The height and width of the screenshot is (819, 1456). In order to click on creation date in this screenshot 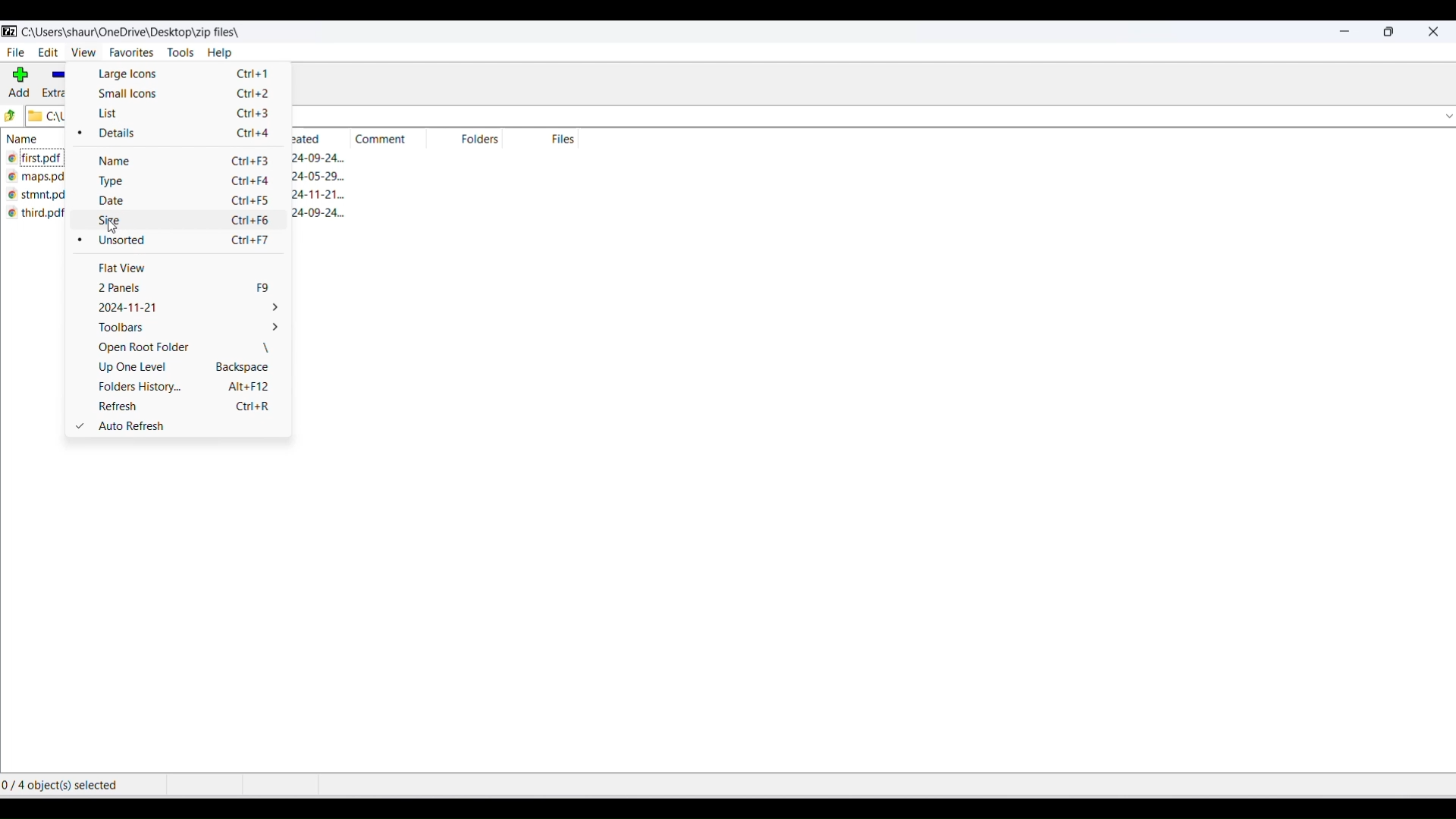, I will do `click(308, 139)`.